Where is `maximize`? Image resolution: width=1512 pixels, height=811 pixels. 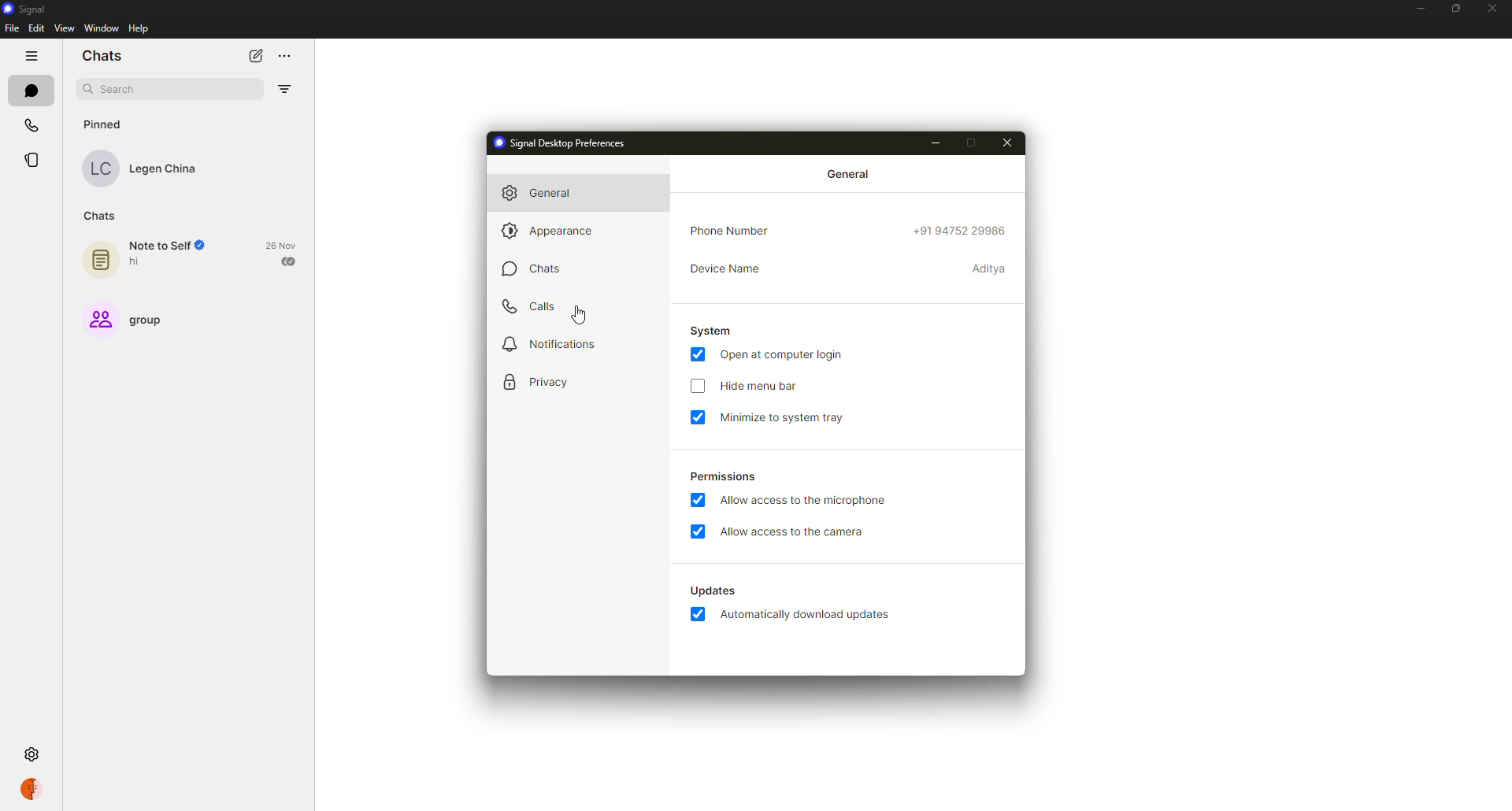
maximize is located at coordinates (974, 143).